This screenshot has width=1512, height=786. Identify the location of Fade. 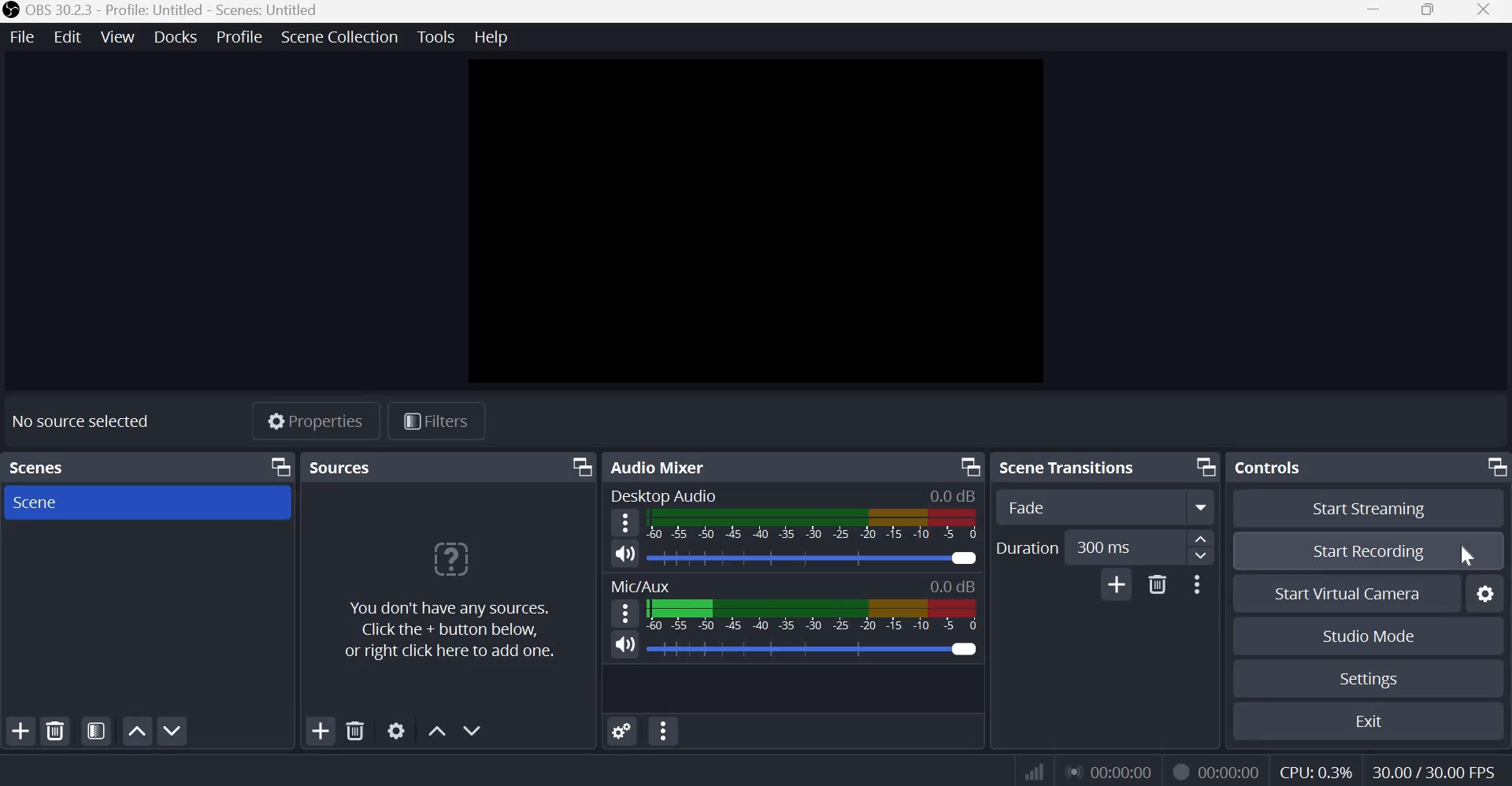
(1110, 507).